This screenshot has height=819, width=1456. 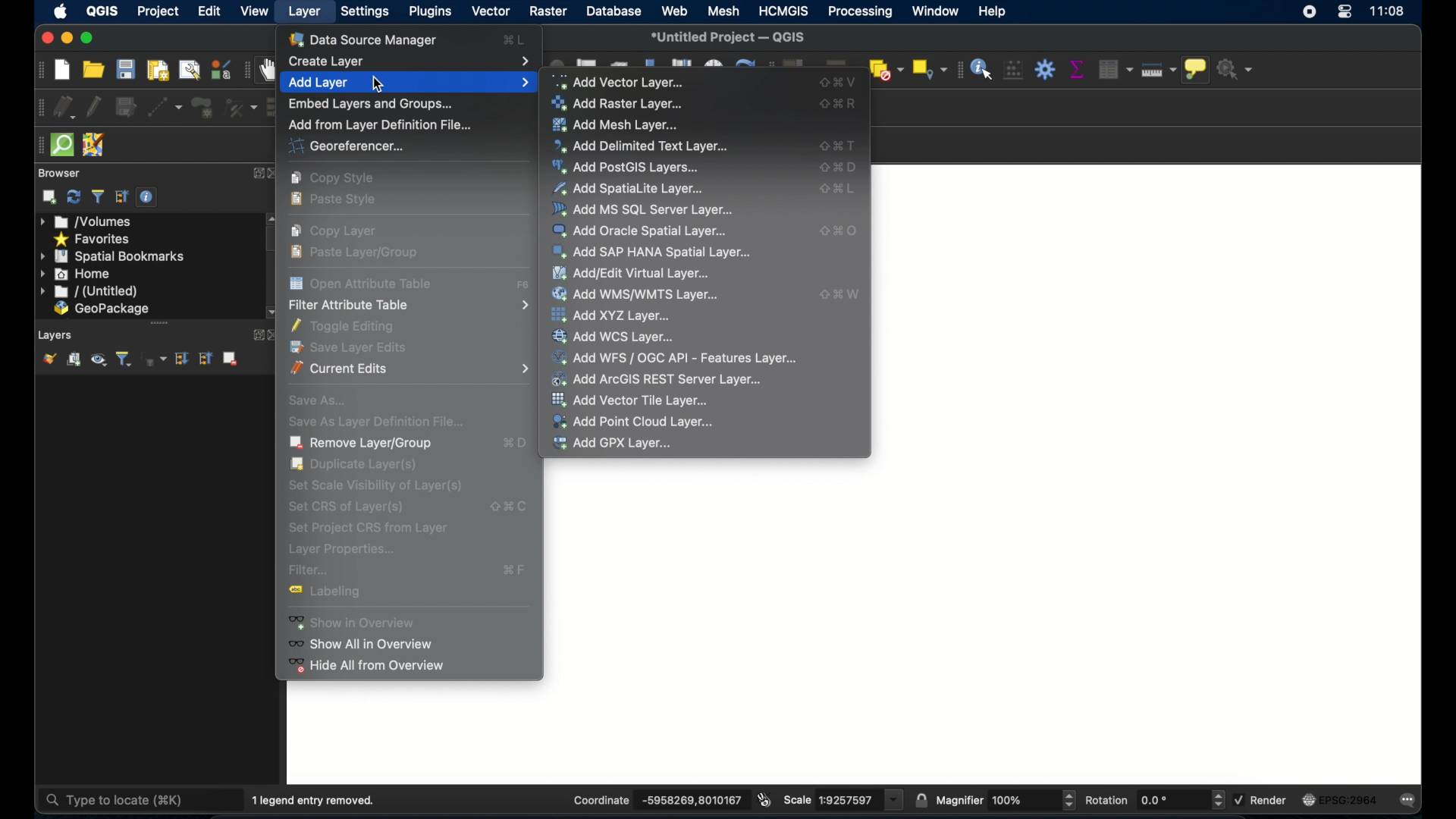 What do you see at coordinates (934, 11) in the screenshot?
I see `window` at bounding box center [934, 11].